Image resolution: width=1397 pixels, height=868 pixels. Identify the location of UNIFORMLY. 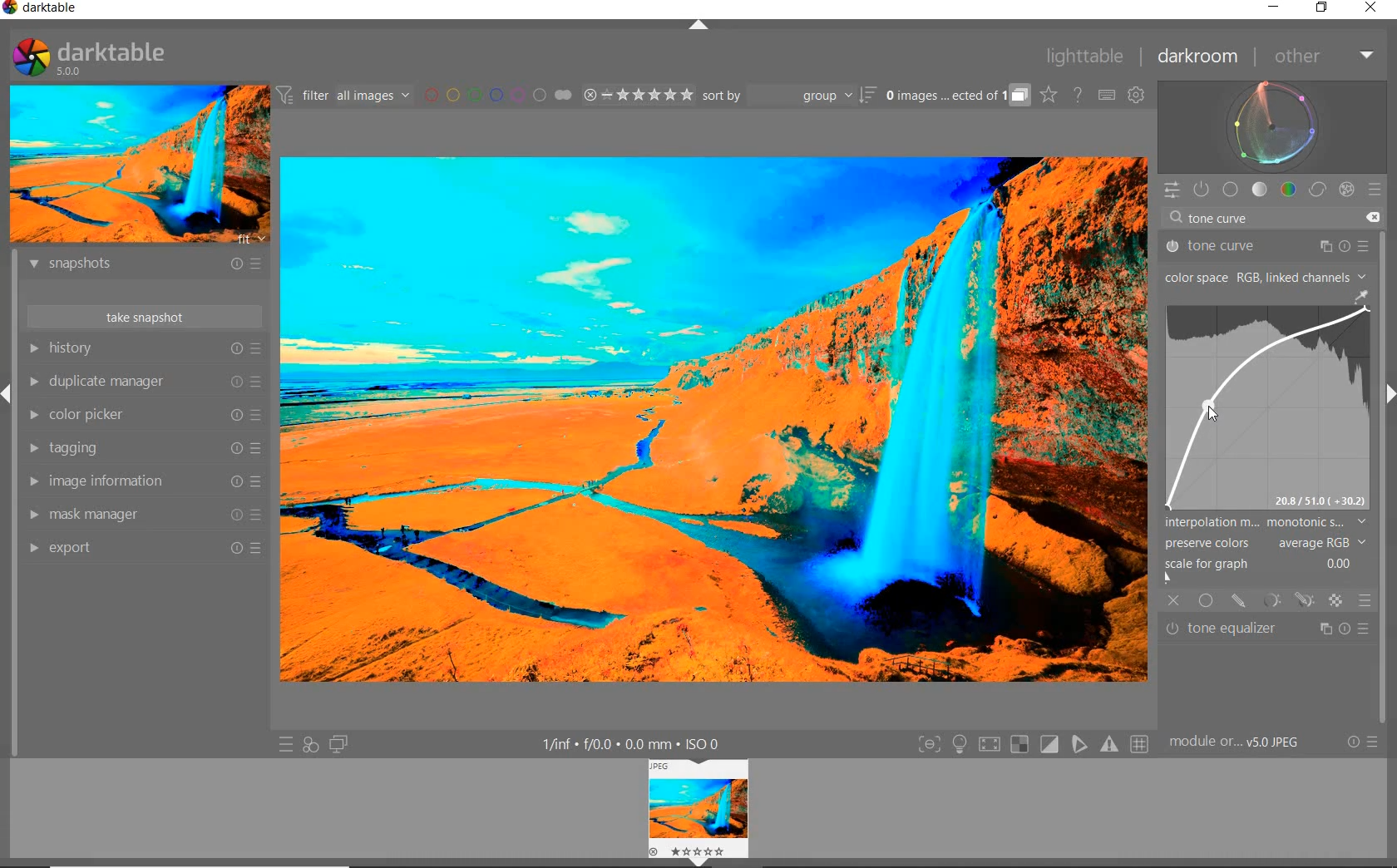
(1206, 601).